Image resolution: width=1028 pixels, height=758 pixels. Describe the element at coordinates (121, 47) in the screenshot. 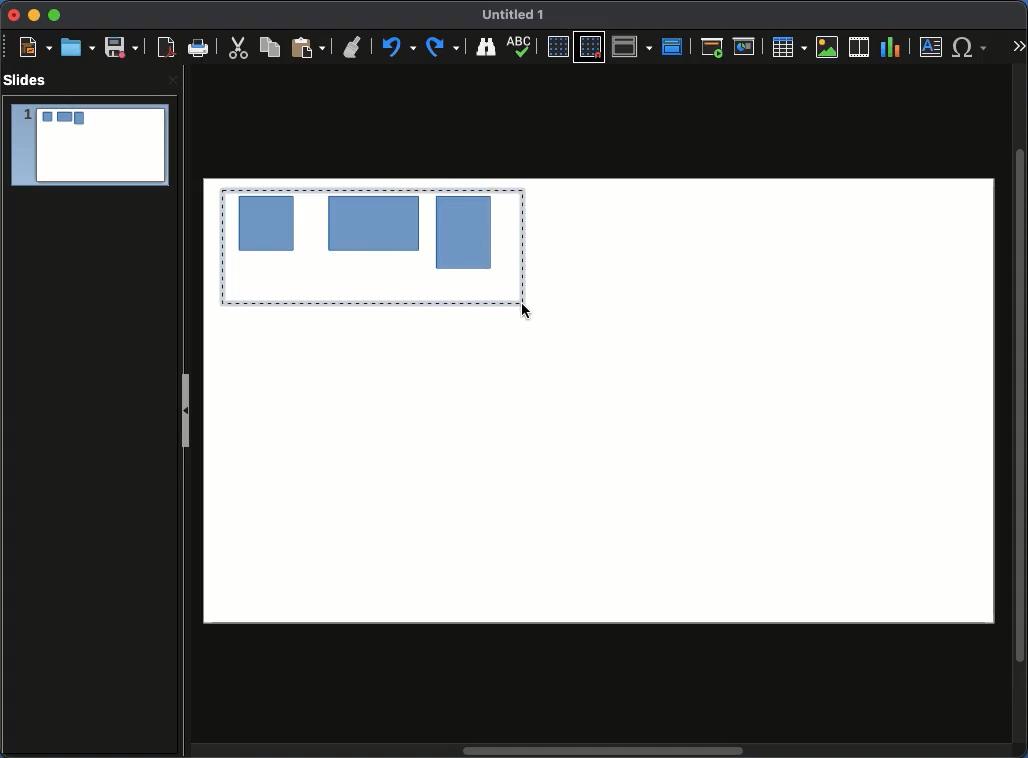

I see `Save` at that location.